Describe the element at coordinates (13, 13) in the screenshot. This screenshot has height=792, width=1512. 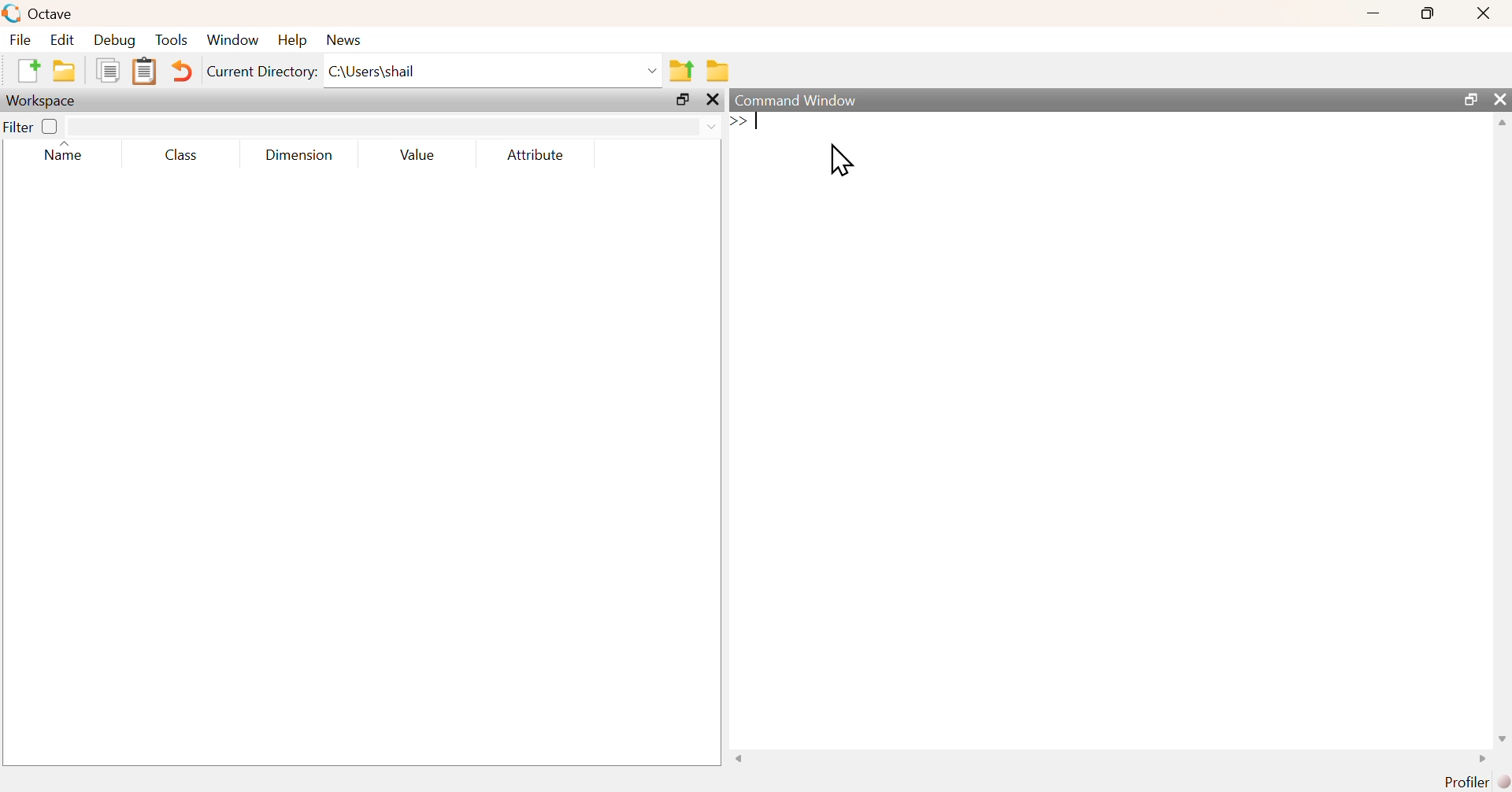
I see `logo` at that location.